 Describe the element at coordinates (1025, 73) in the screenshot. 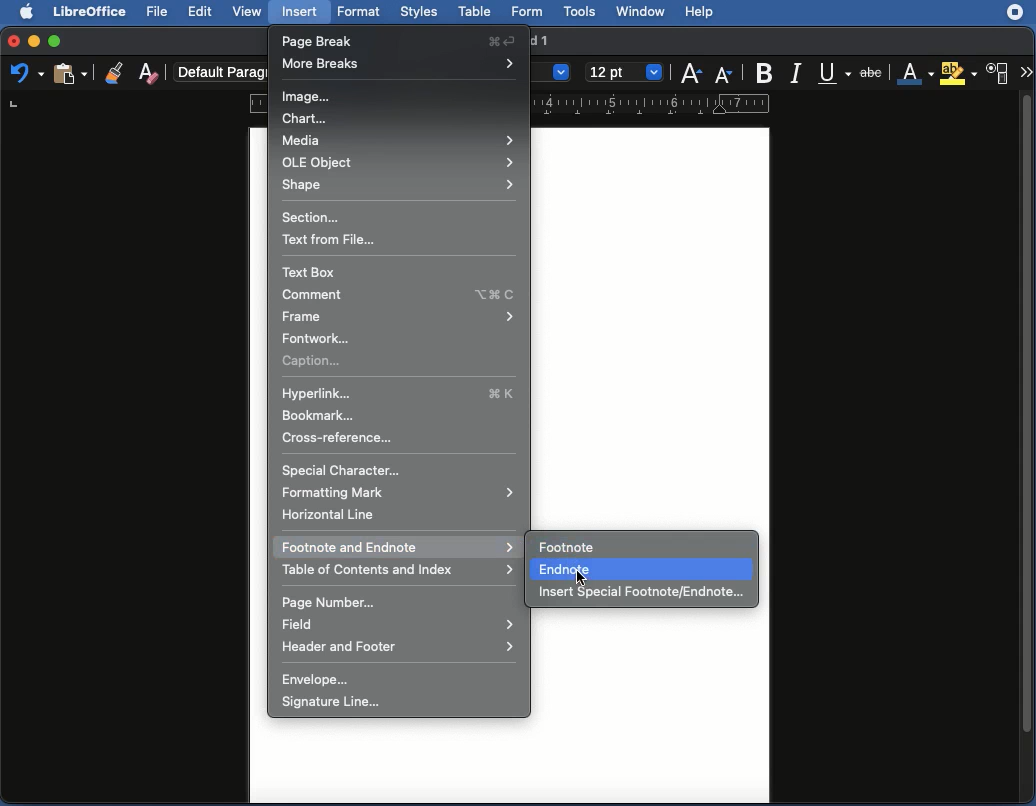

I see `More` at that location.